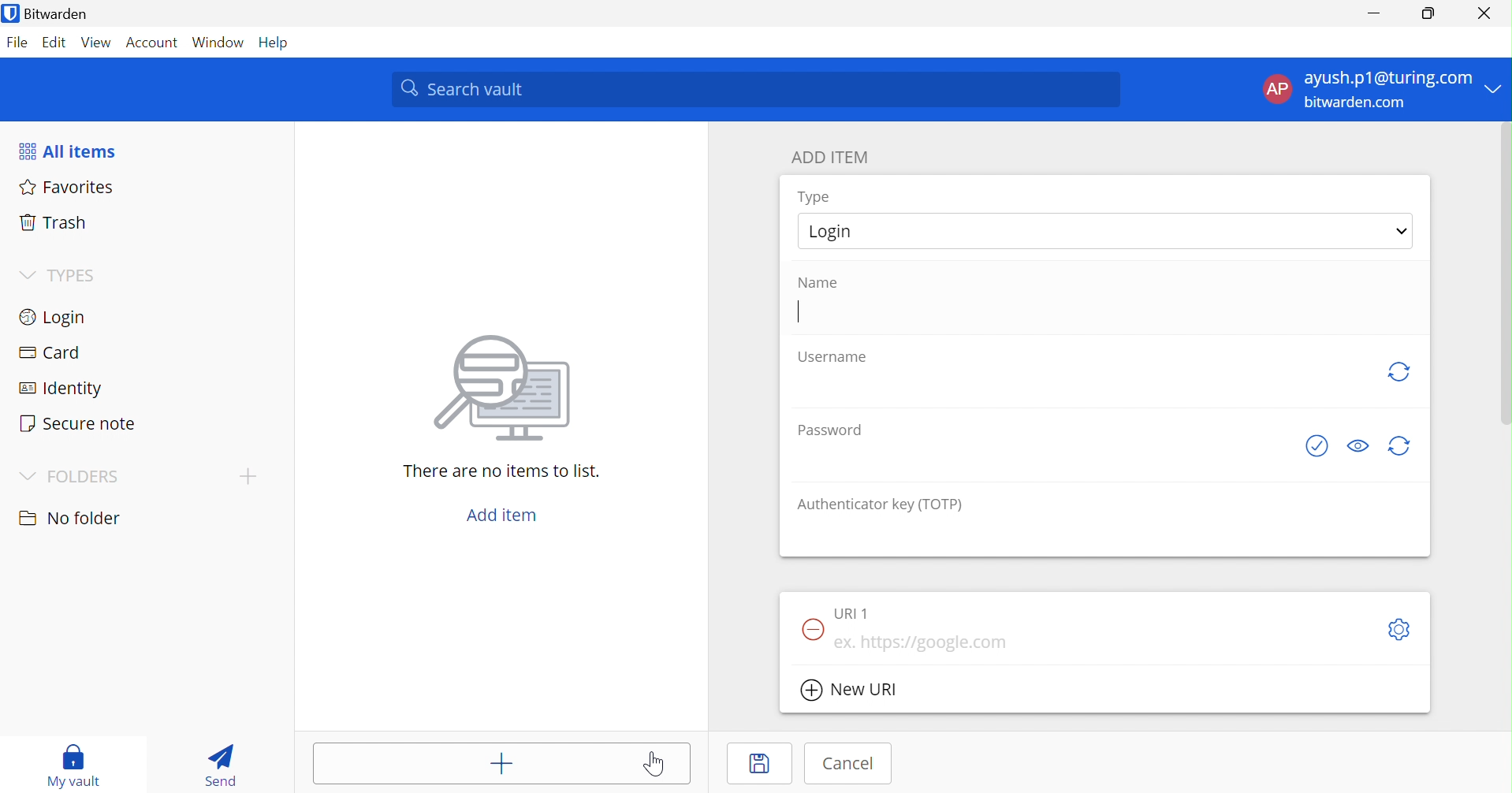  I want to click on Password, so click(828, 429).